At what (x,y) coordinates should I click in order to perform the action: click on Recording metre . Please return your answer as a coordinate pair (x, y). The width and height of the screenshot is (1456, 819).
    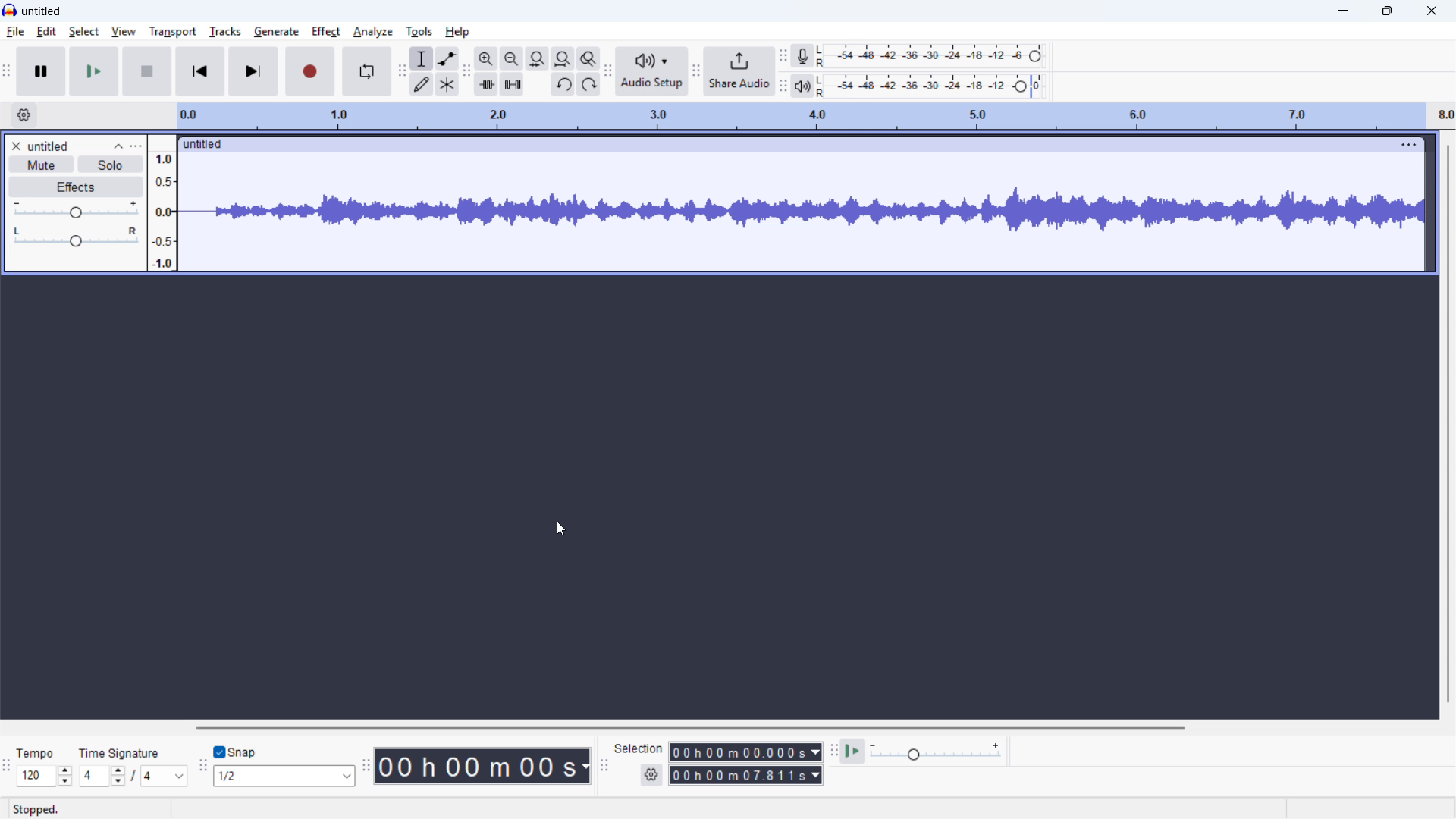
    Looking at the image, I should click on (803, 56).